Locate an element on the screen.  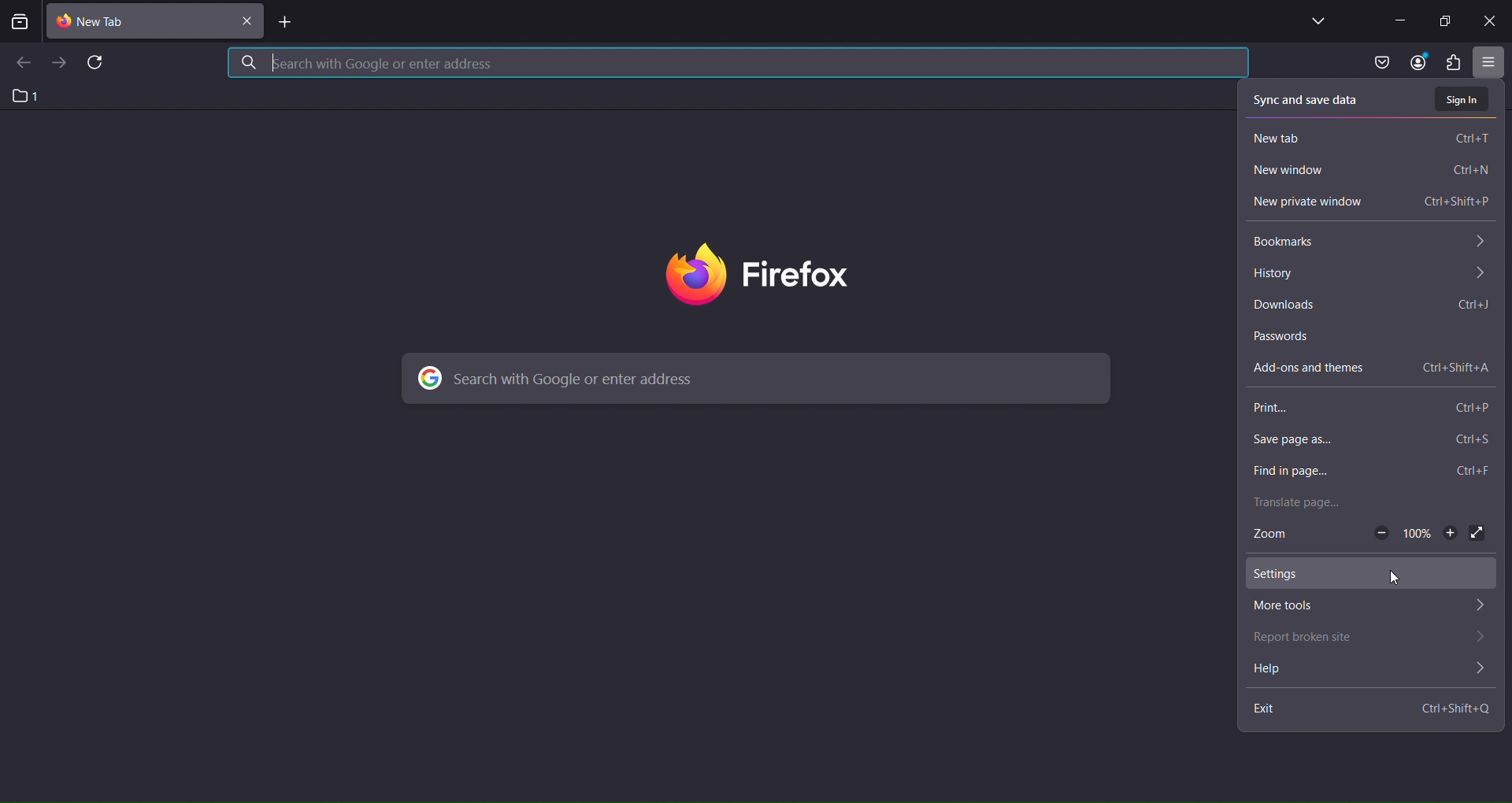
search tabs is located at coordinates (20, 24).